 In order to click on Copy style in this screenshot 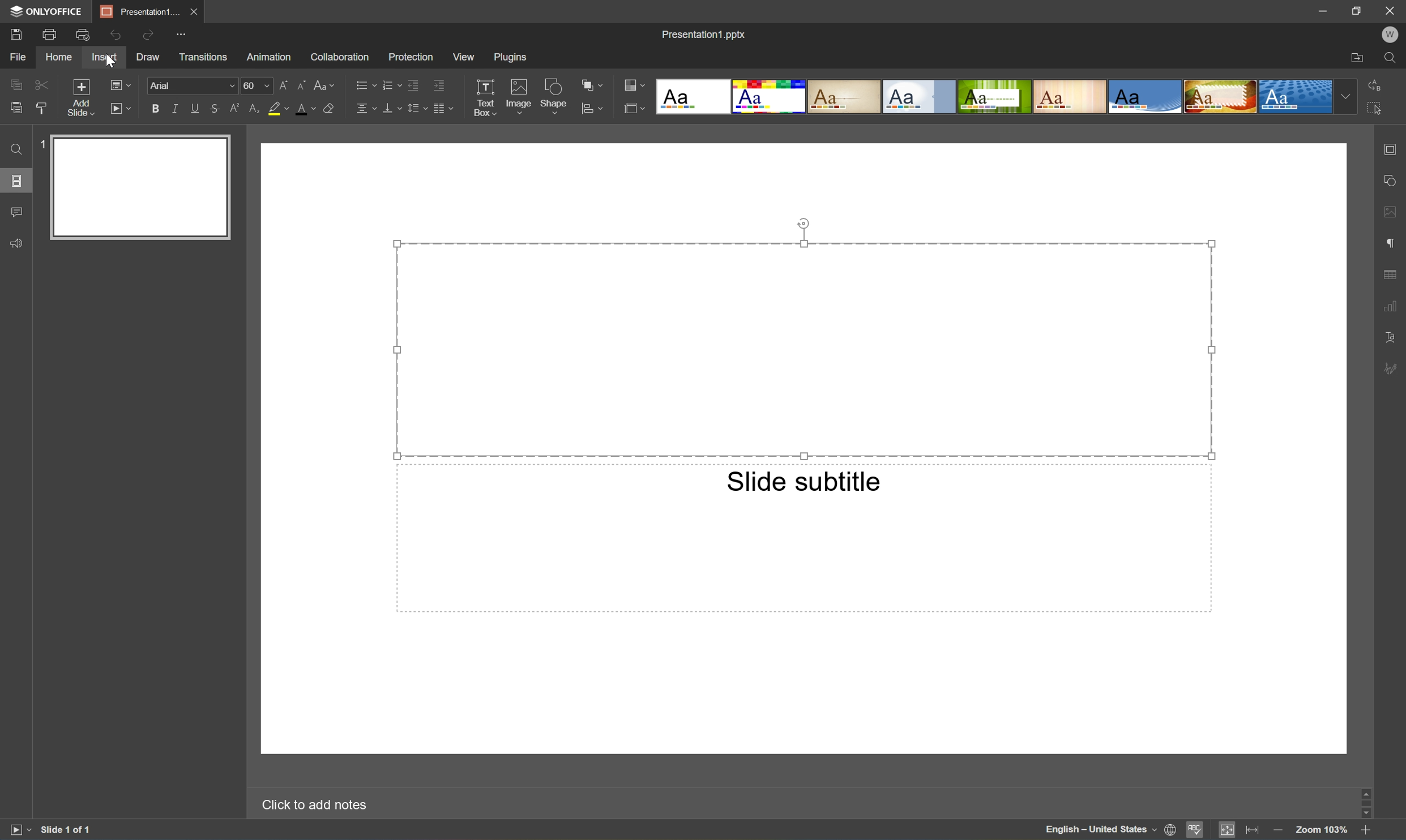, I will do `click(41, 109)`.